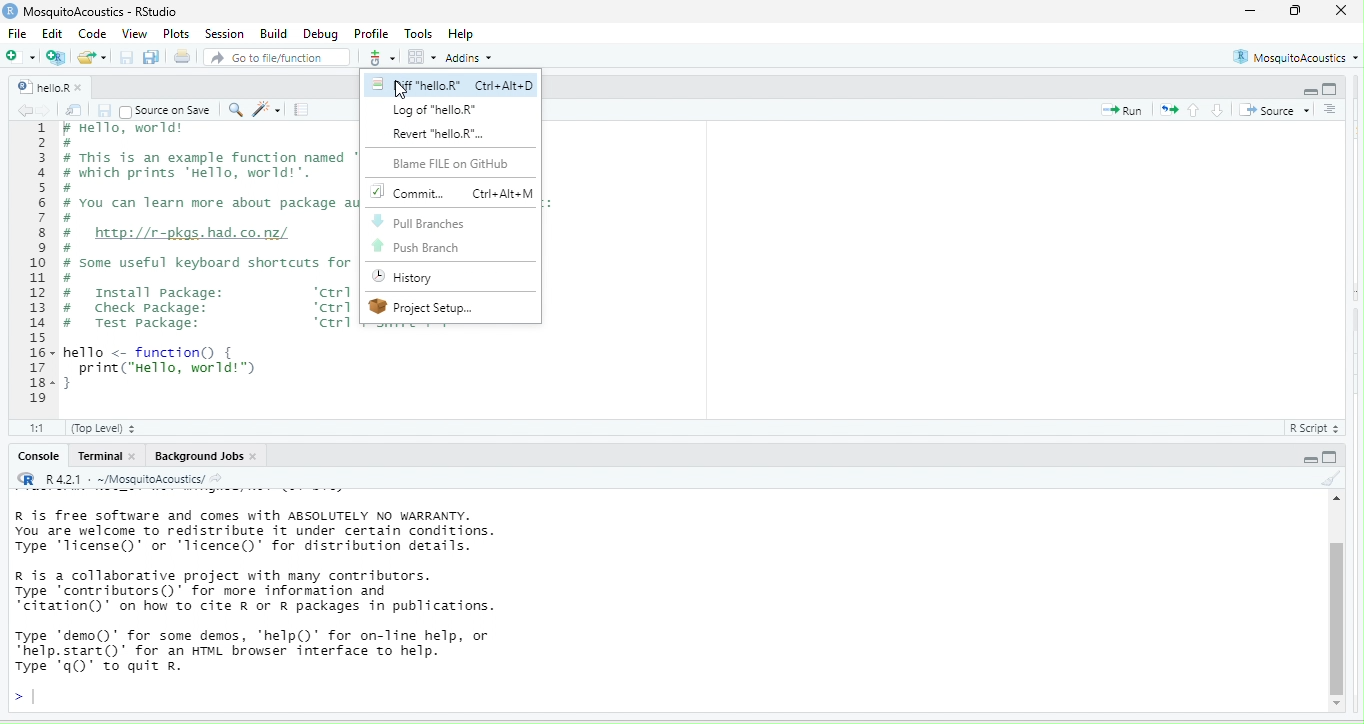 This screenshot has width=1364, height=724. What do you see at coordinates (174, 35) in the screenshot?
I see `Plots` at bounding box center [174, 35].